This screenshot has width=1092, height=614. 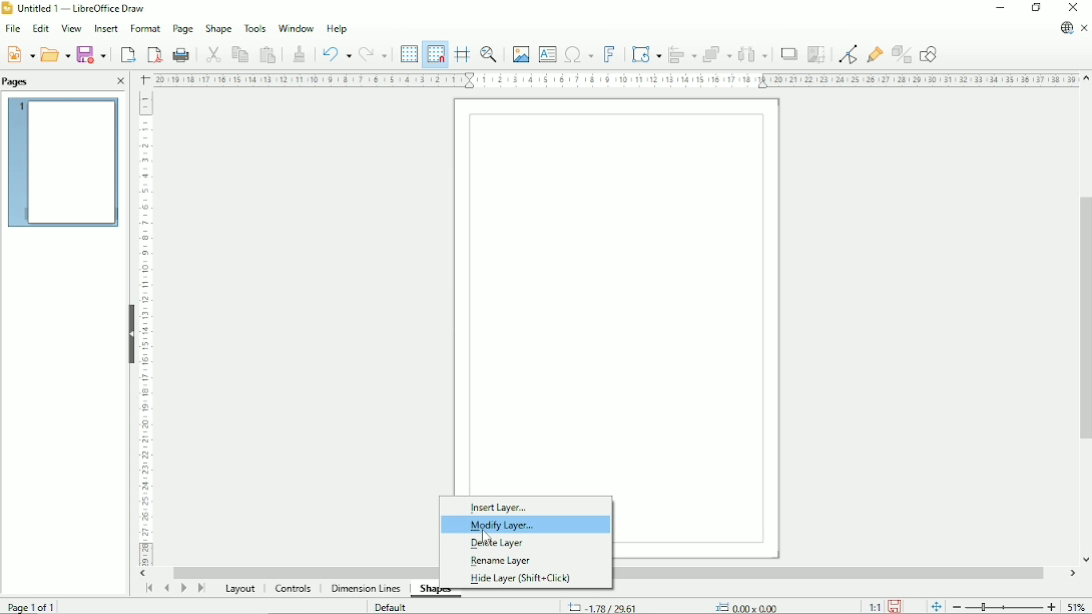 What do you see at coordinates (610, 53) in the screenshot?
I see `Insert fontwork text` at bounding box center [610, 53].